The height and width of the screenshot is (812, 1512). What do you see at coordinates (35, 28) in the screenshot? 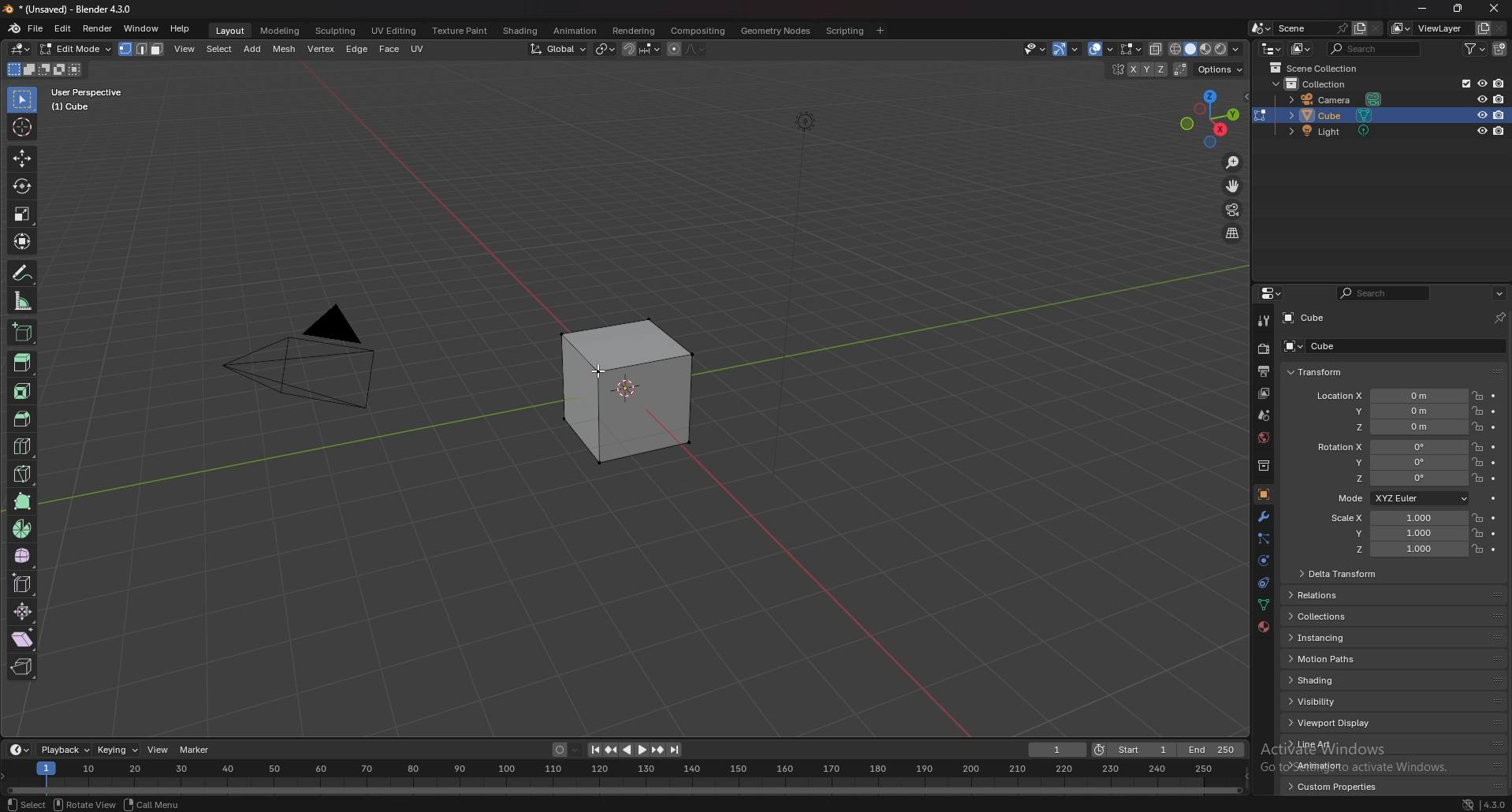
I see `file` at bounding box center [35, 28].